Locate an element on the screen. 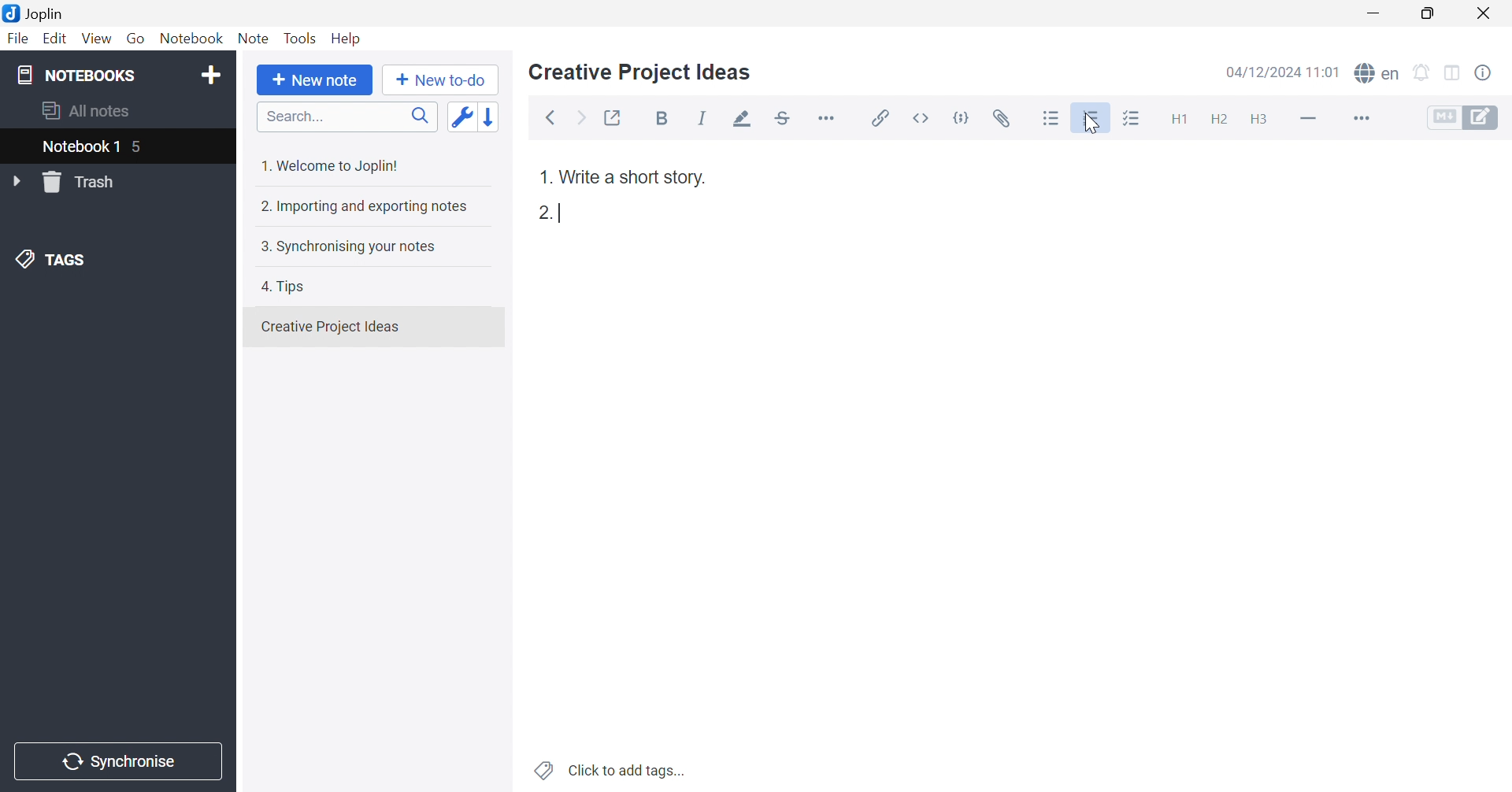  Close is located at coordinates (1487, 14).